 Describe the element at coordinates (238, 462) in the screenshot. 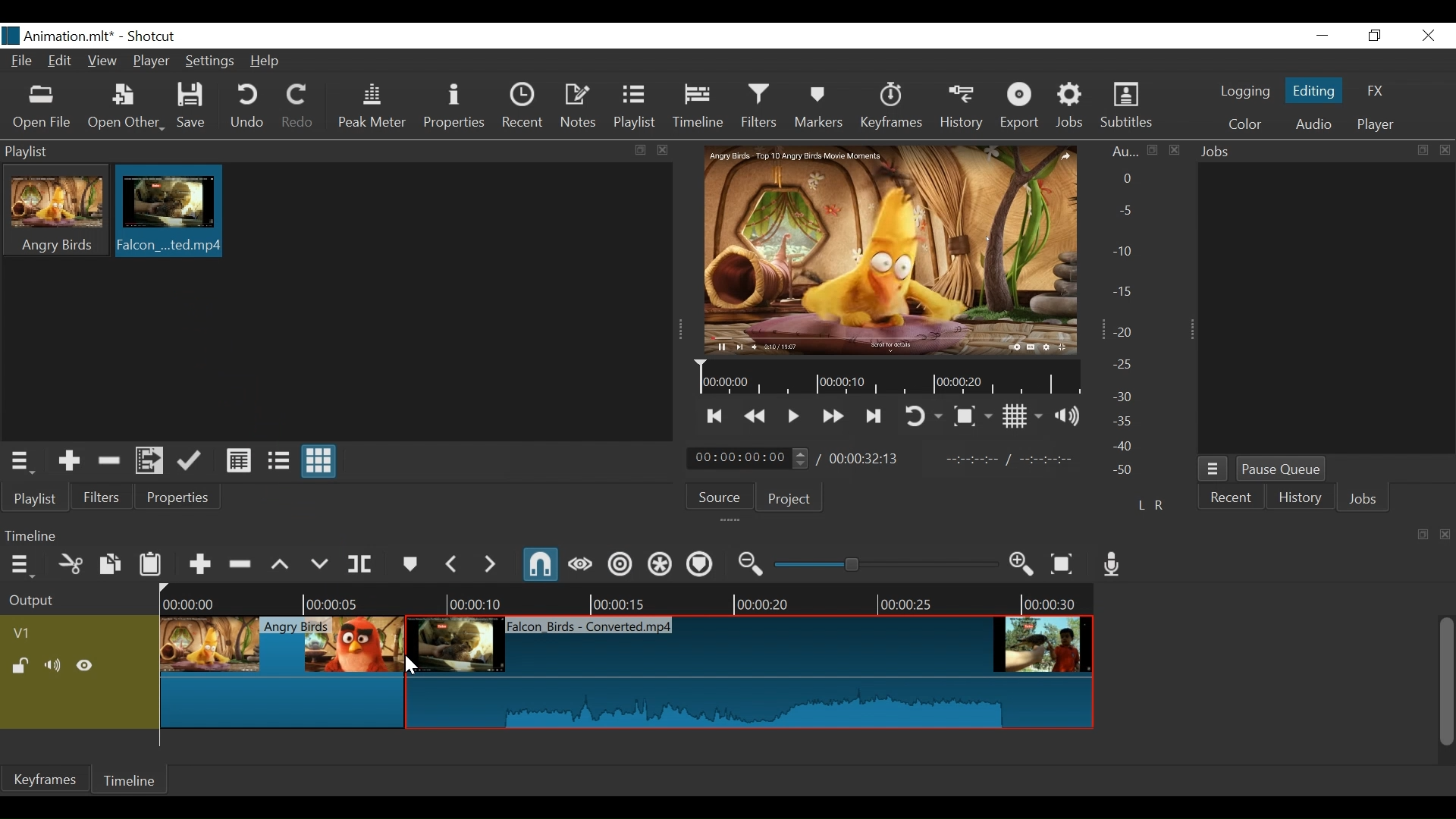

I see `View as Detail` at that location.